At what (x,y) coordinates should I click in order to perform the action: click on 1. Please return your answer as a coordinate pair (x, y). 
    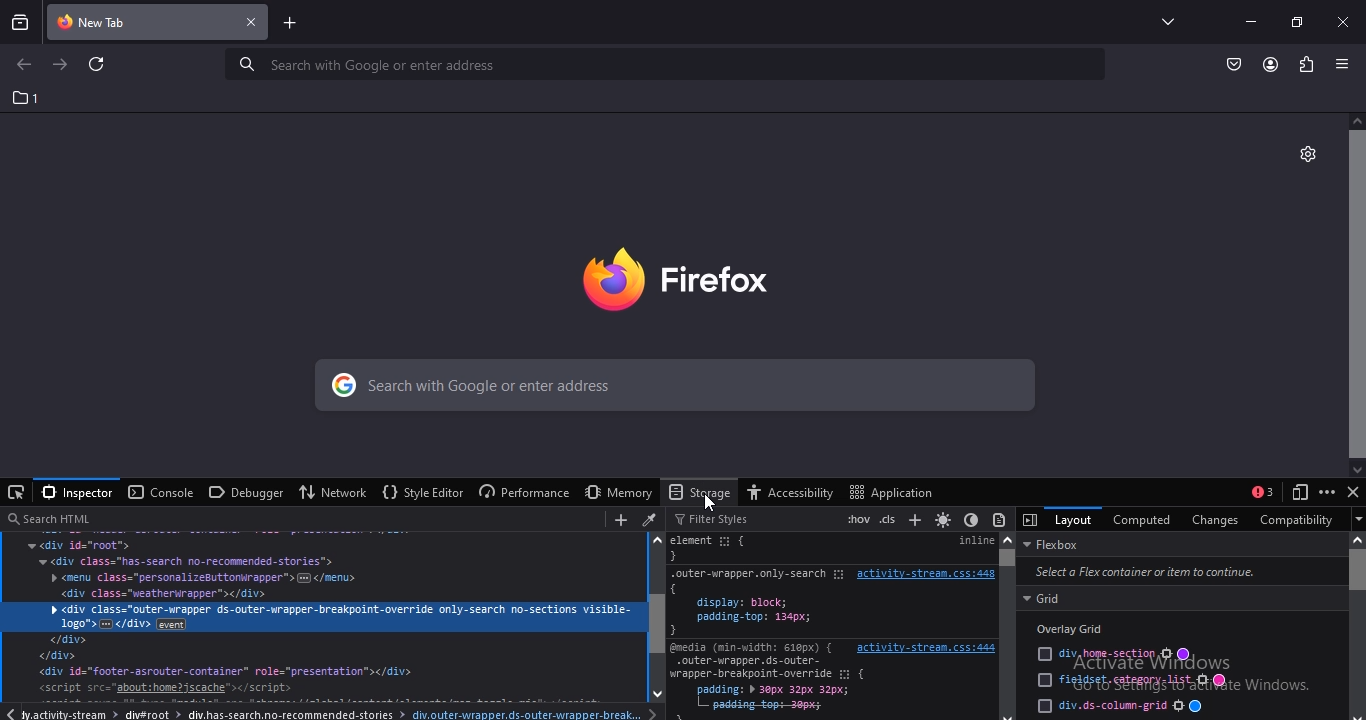
    Looking at the image, I should click on (27, 98).